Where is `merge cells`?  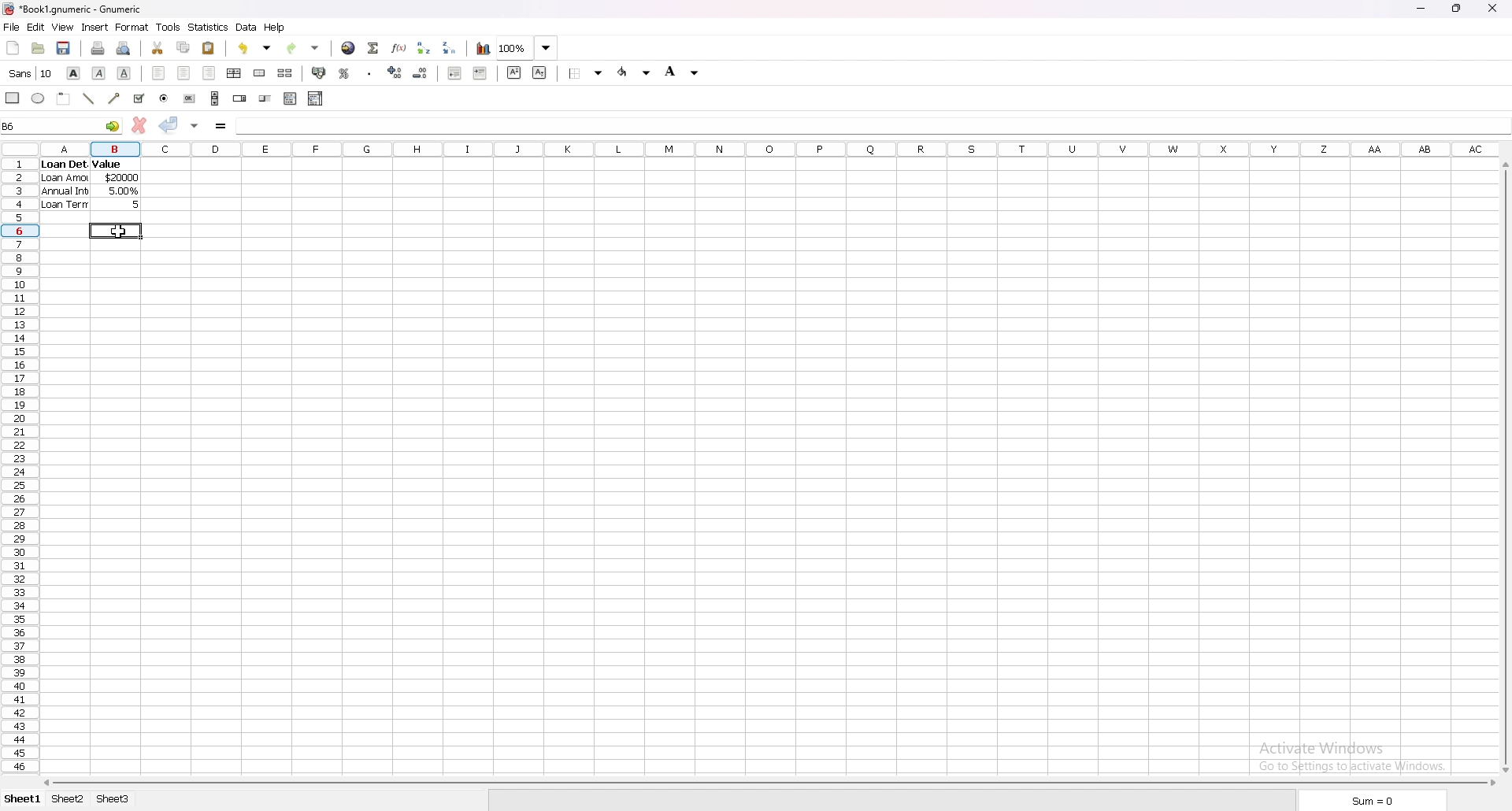
merge cells is located at coordinates (259, 72).